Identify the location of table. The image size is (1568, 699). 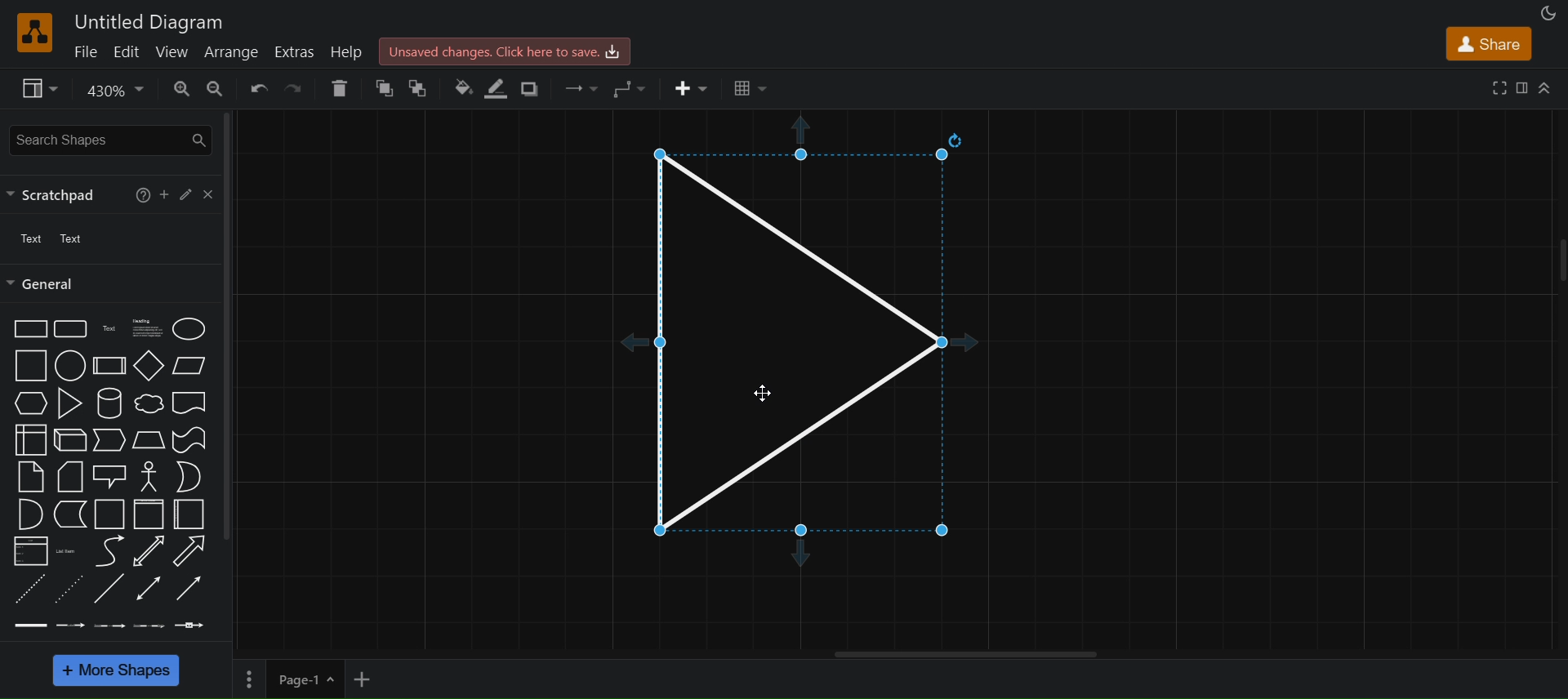
(752, 88).